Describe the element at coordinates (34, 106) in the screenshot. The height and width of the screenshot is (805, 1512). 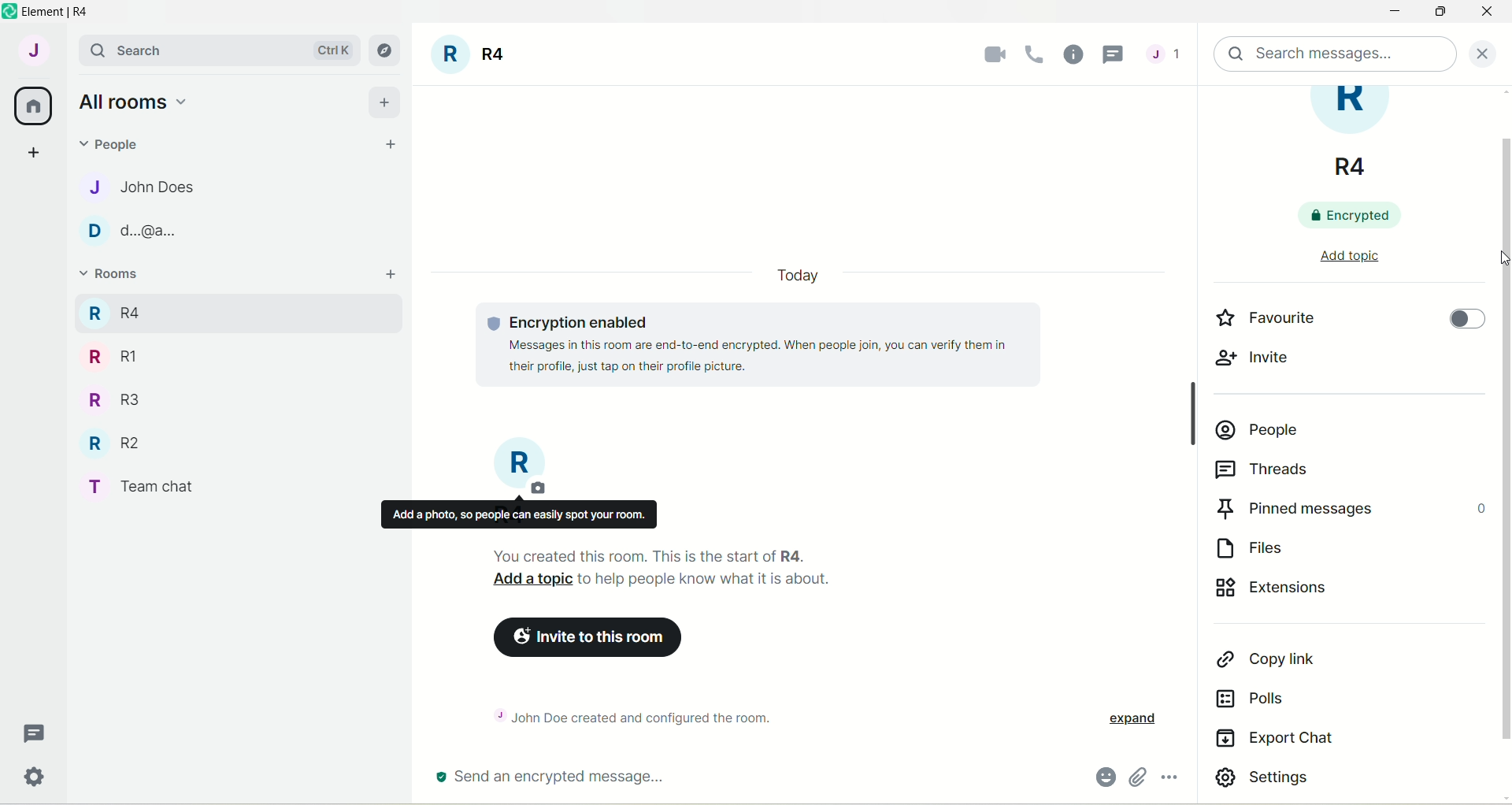
I see `all rooms` at that location.